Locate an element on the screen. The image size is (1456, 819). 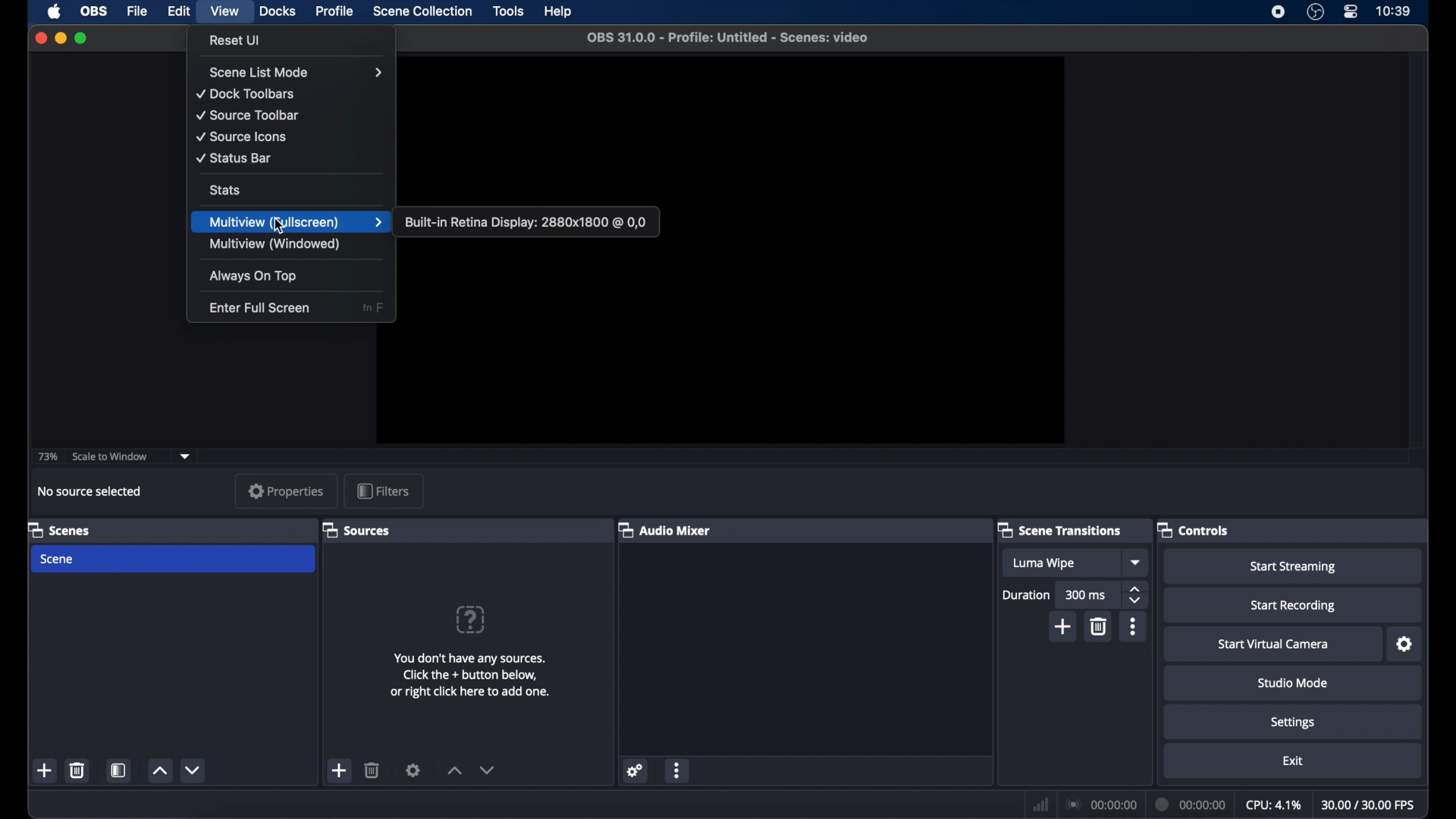
delete is located at coordinates (78, 770).